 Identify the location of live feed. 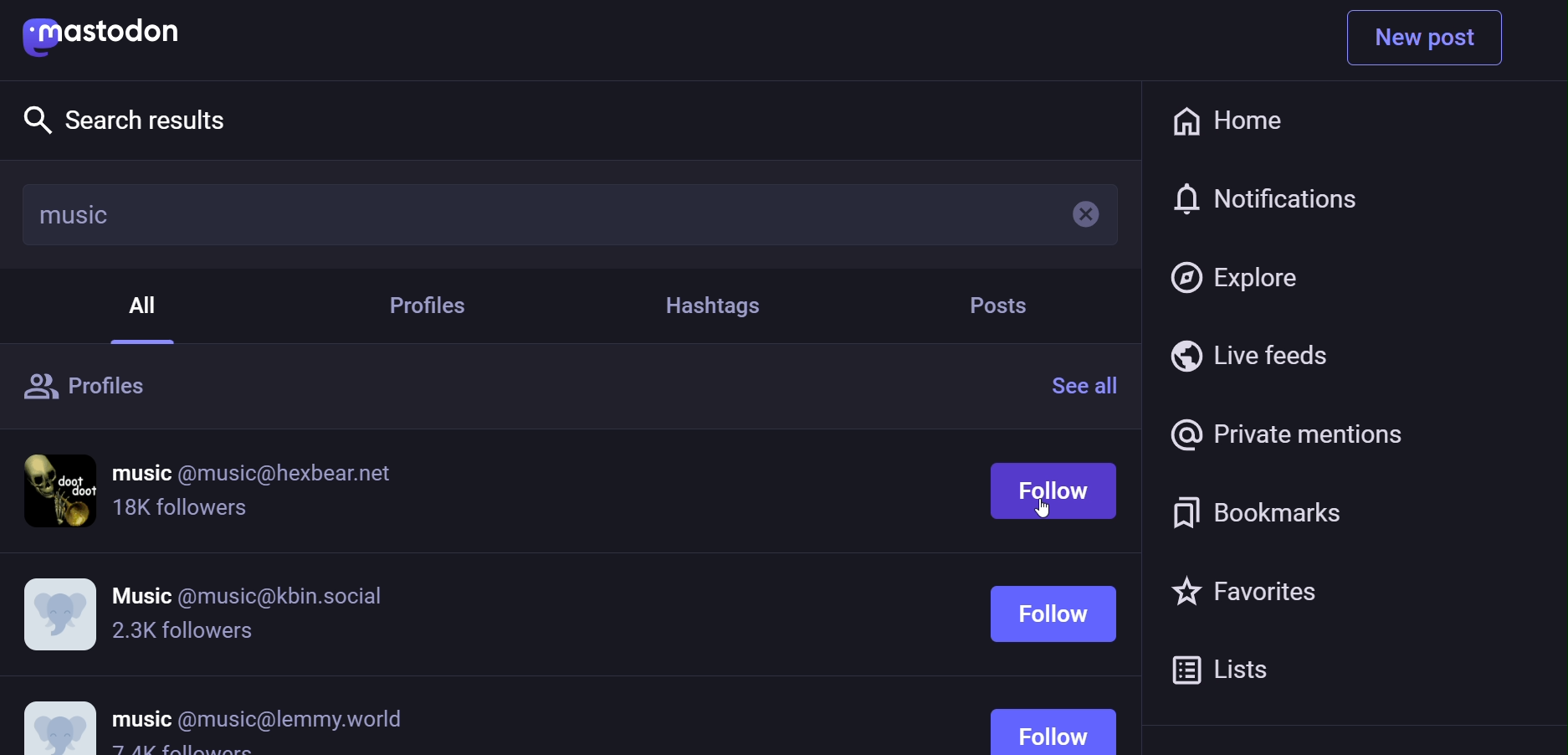
(1252, 355).